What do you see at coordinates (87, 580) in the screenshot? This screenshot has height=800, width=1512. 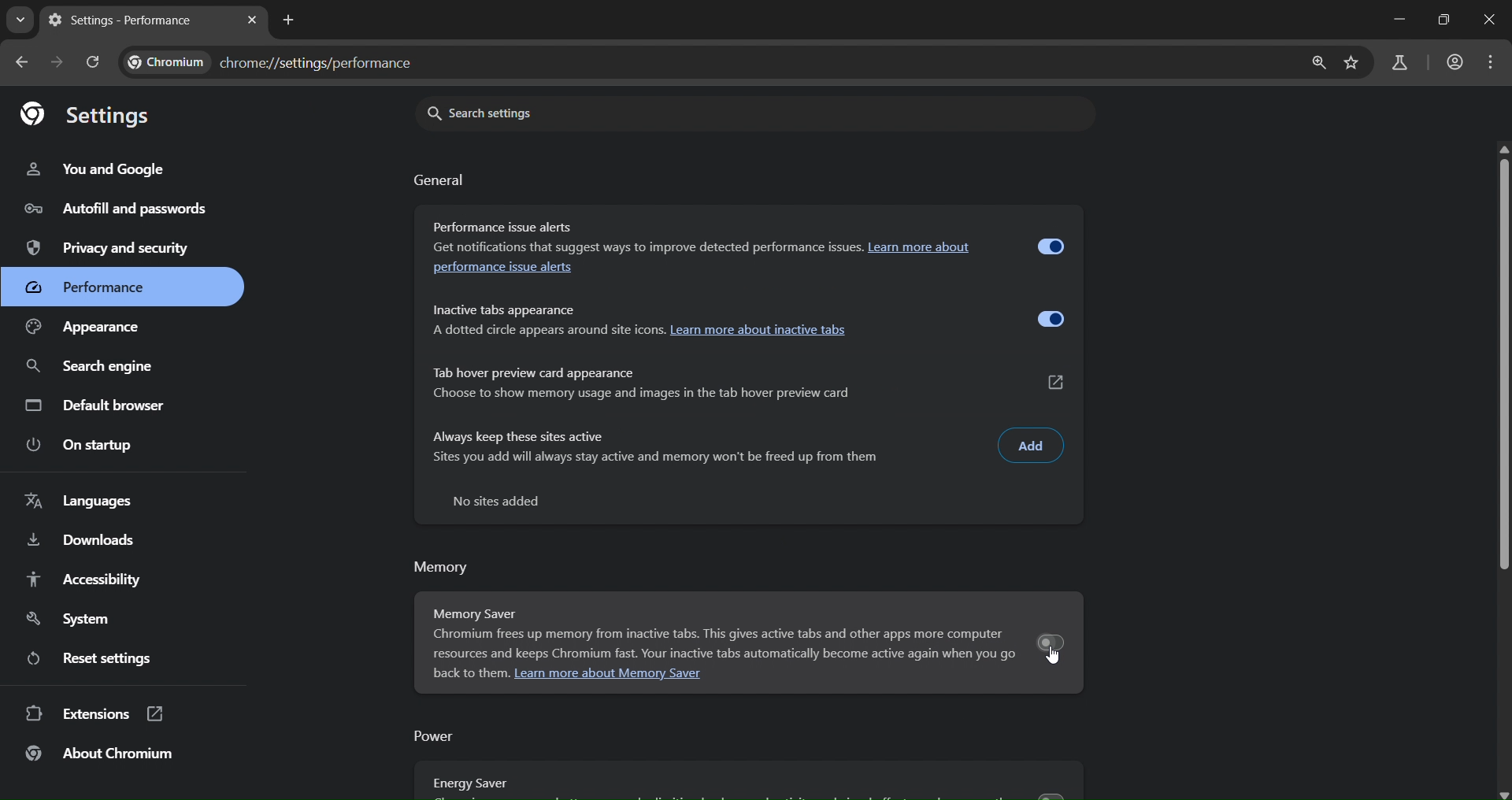 I see `accessibility` at bounding box center [87, 580].